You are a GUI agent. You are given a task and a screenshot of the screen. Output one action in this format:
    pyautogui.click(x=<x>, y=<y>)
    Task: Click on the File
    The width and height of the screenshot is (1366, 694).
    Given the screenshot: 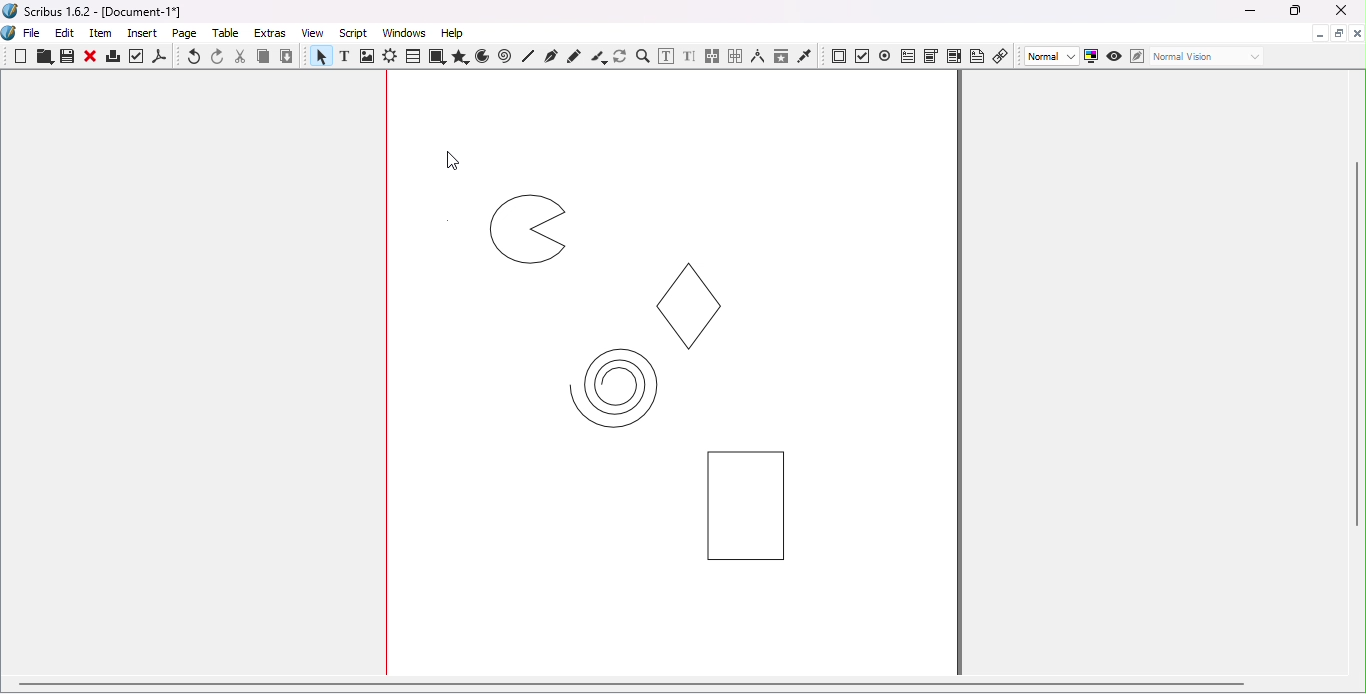 What is the action you would take?
    pyautogui.click(x=32, y=34)
    